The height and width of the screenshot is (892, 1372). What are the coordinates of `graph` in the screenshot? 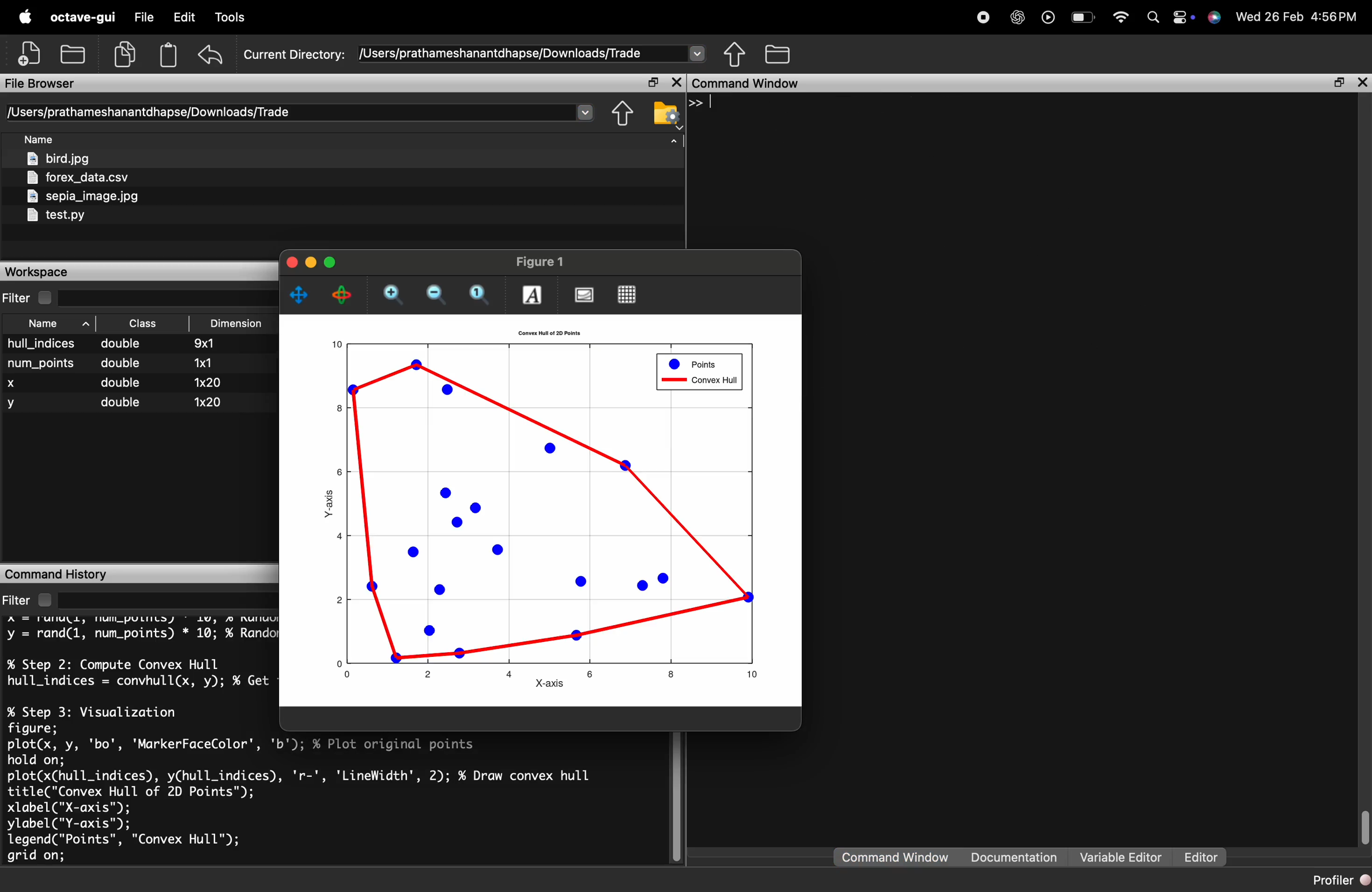 It's located at (542, 511).